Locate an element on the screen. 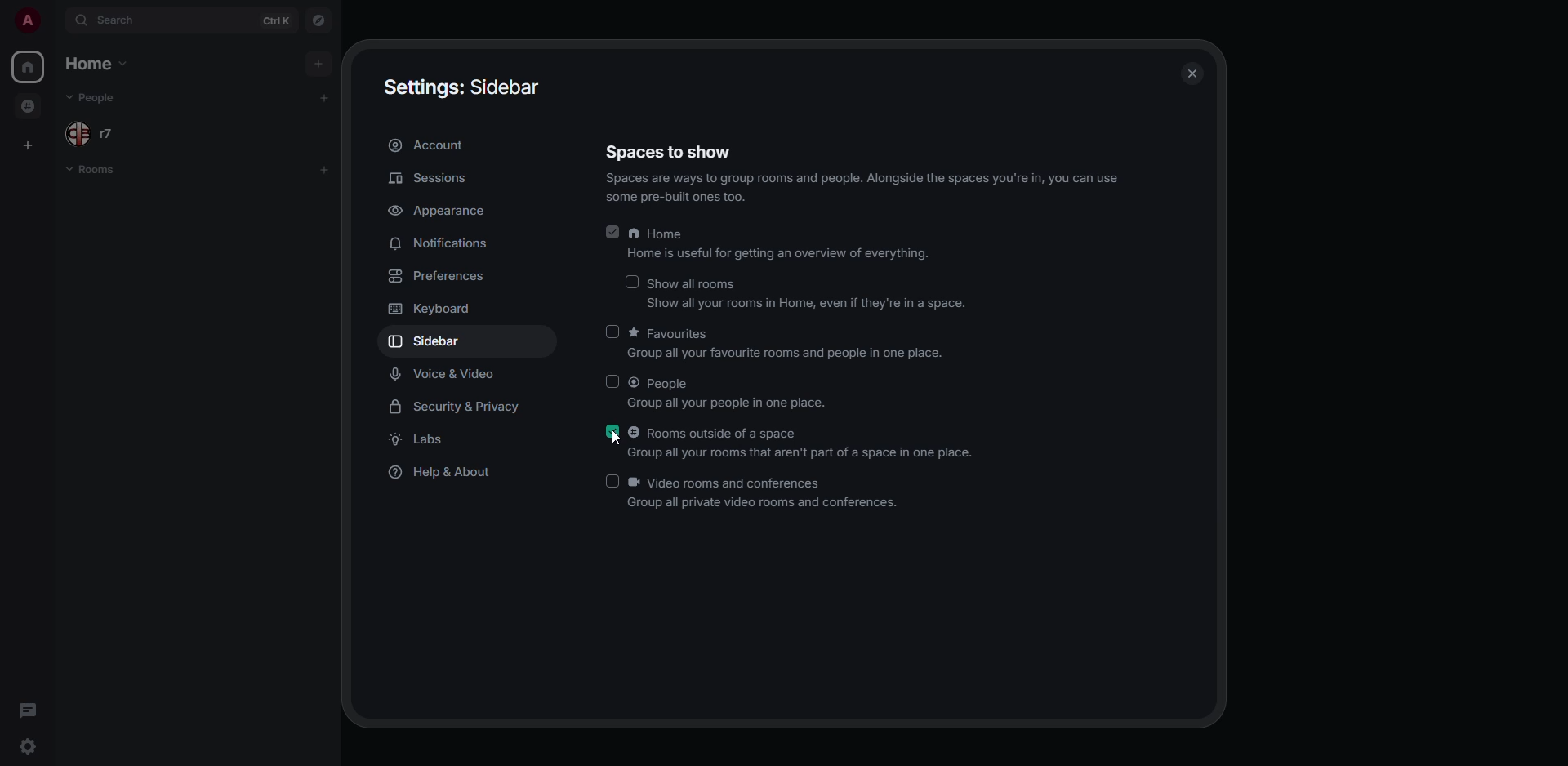  help & about is located at coordinates (443, 474).